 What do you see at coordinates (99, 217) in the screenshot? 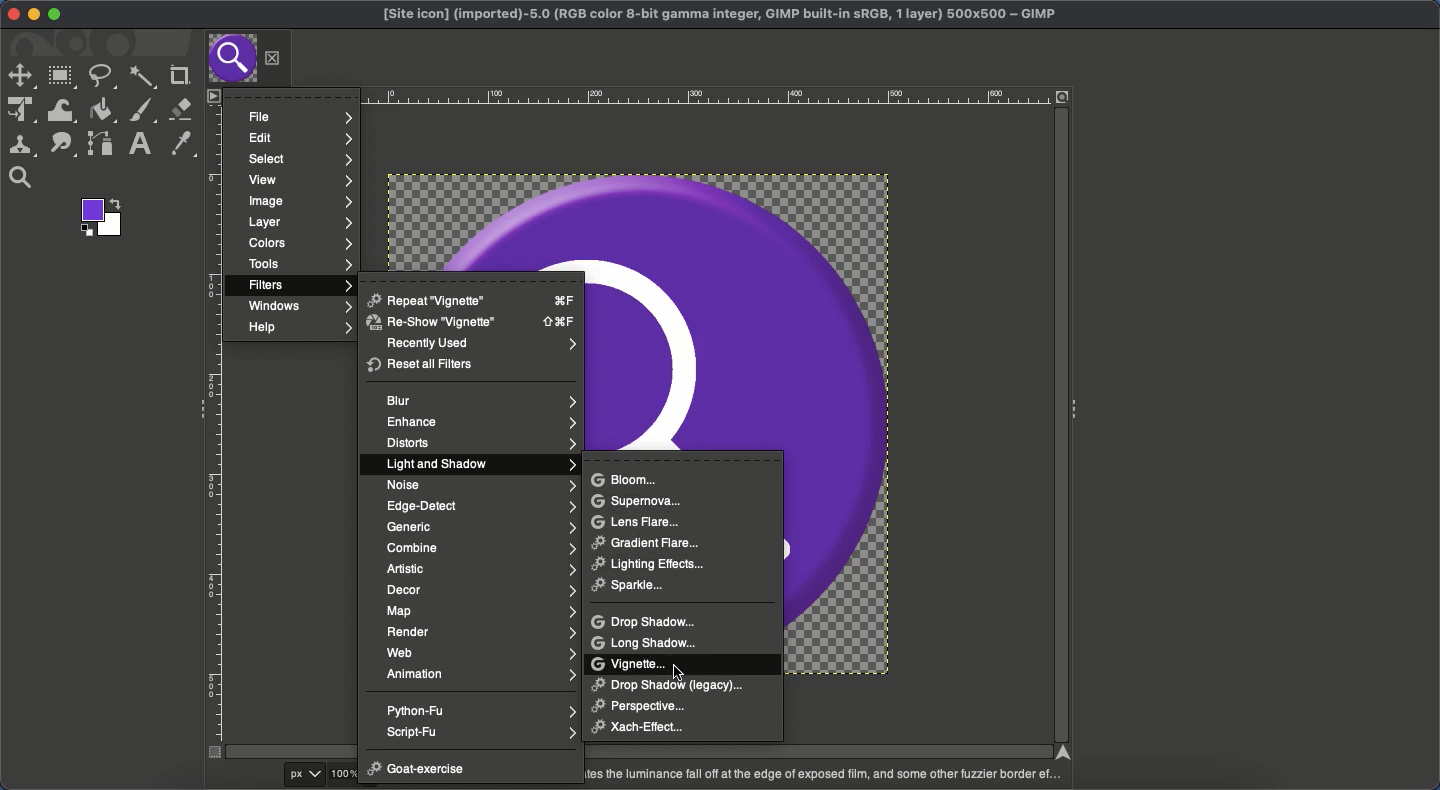
I see `Color` at bounding box center [99, 217].